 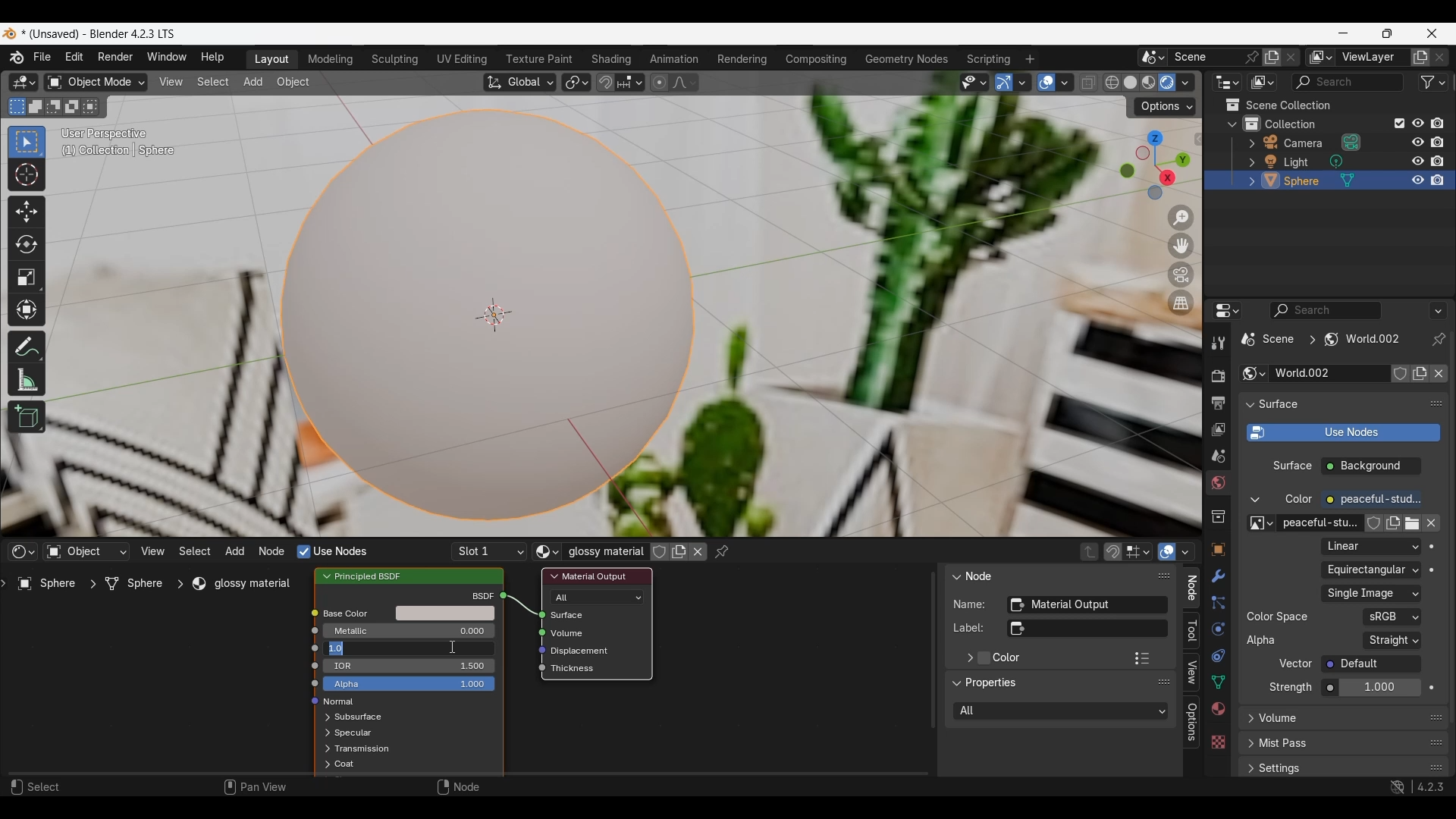 I want to click on icon, so click(x=306, y=664).